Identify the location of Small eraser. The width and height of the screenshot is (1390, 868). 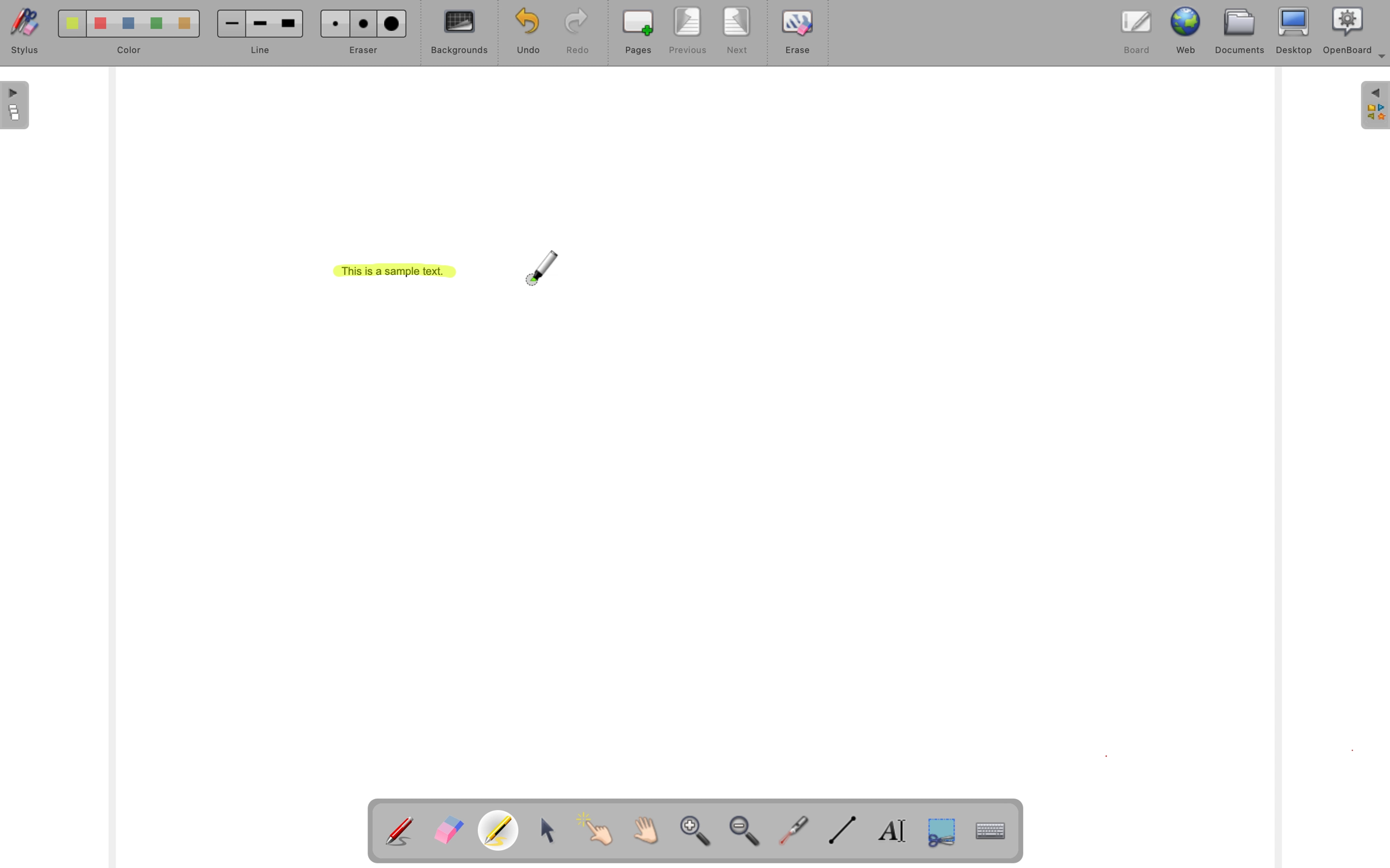
(334, 24).